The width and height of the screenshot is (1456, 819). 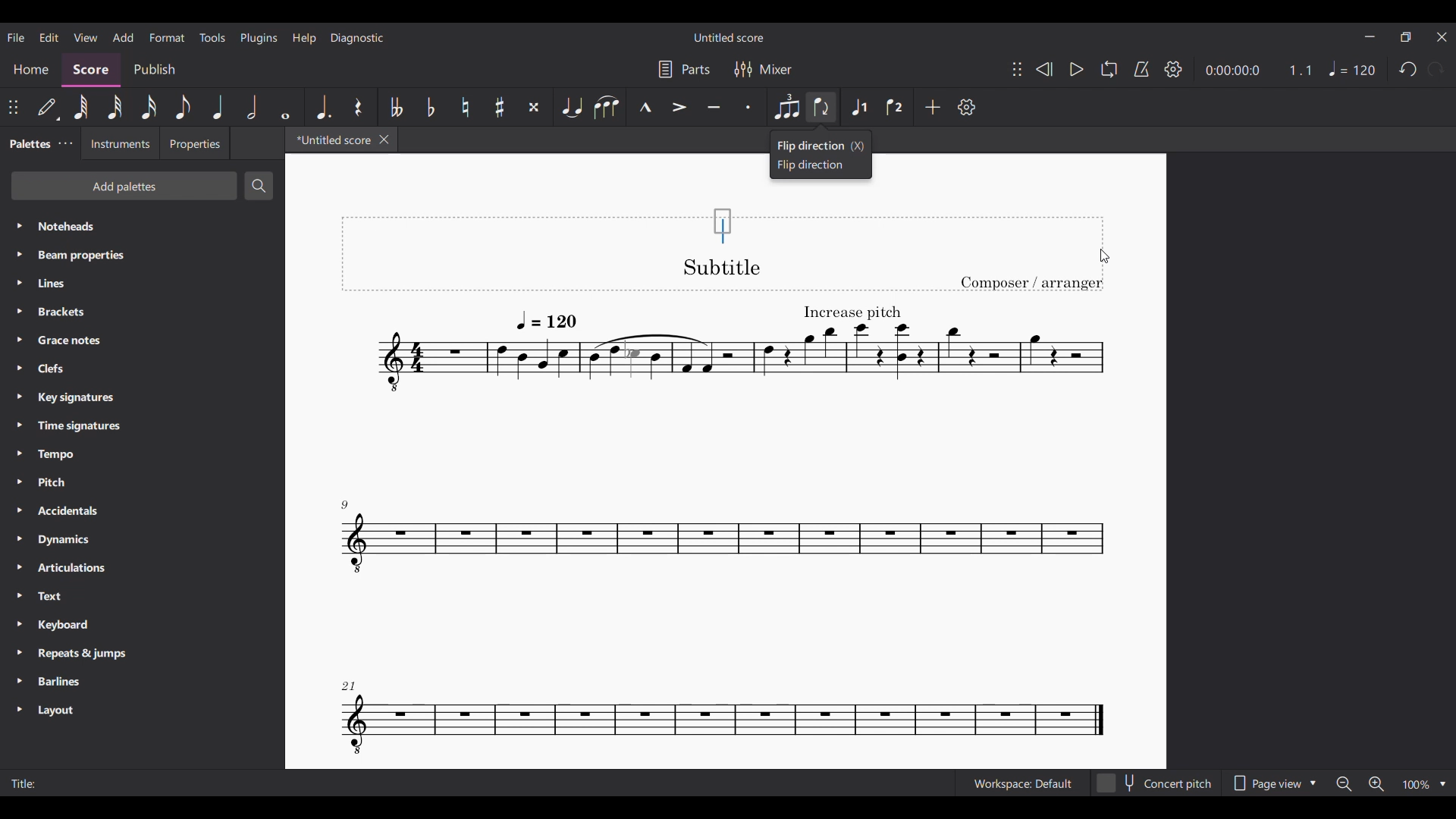 What do you see at coordinates (967, 107) in the screenshot?
I see `Settings` at bounding box center [967, 107].